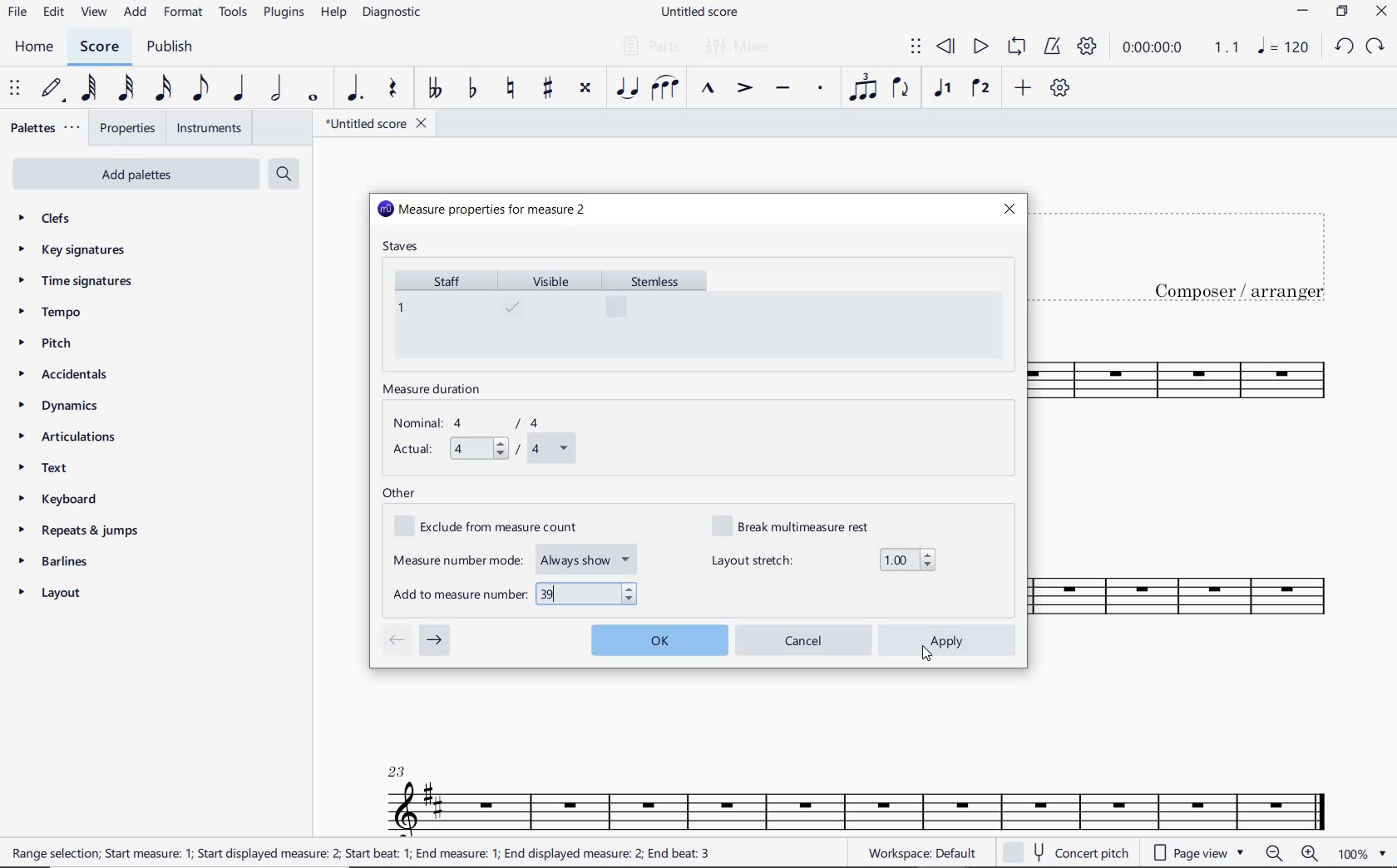  What do you see at coordinates (59, 565) in the screenshot?
I see `BARLINES` at bounding box center [59, 565].